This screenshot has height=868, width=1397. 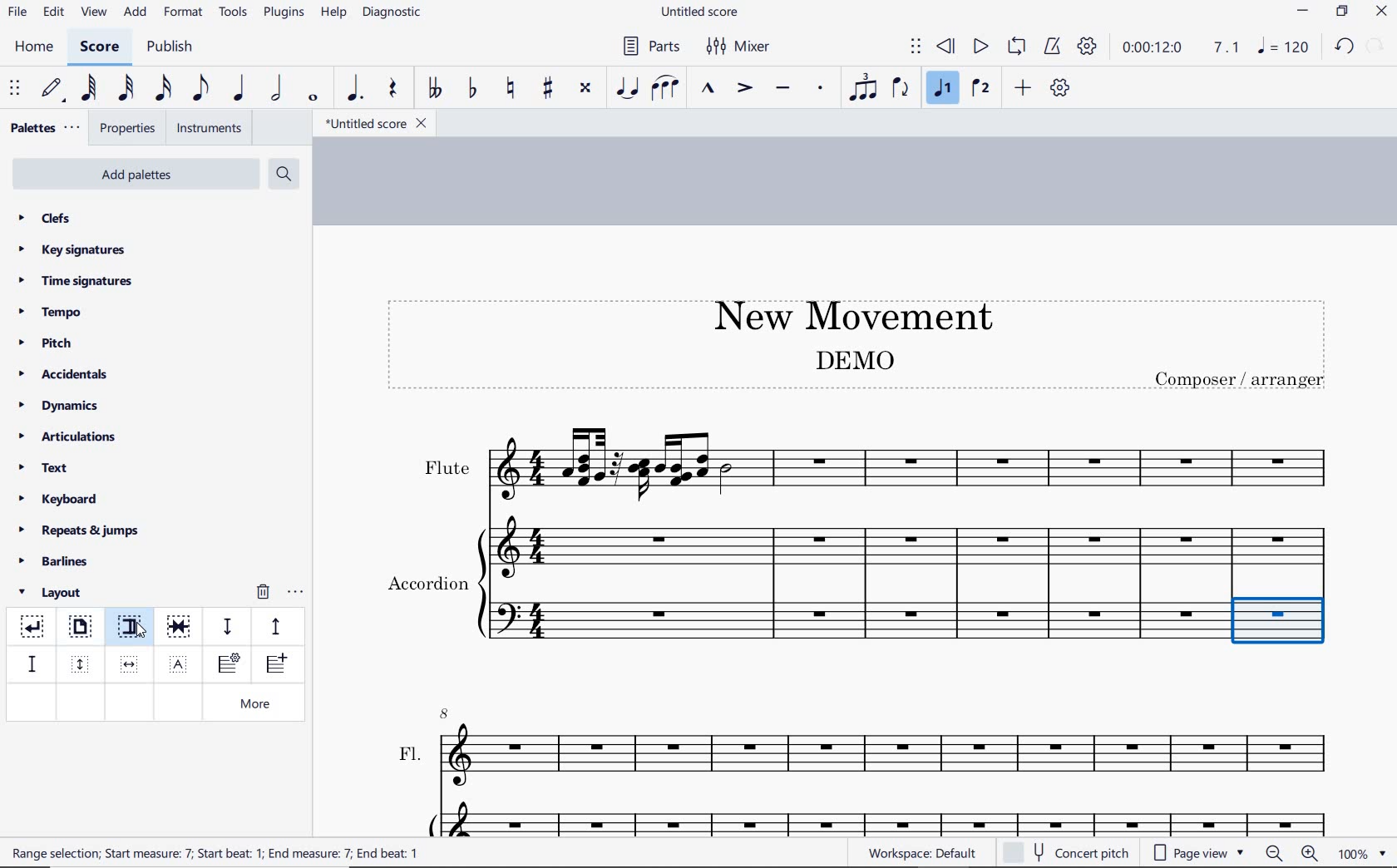 What do you see at coordinates (434, 89) in the screenshot?
I see `toggle double-flat` at bounding box center [434, 89].